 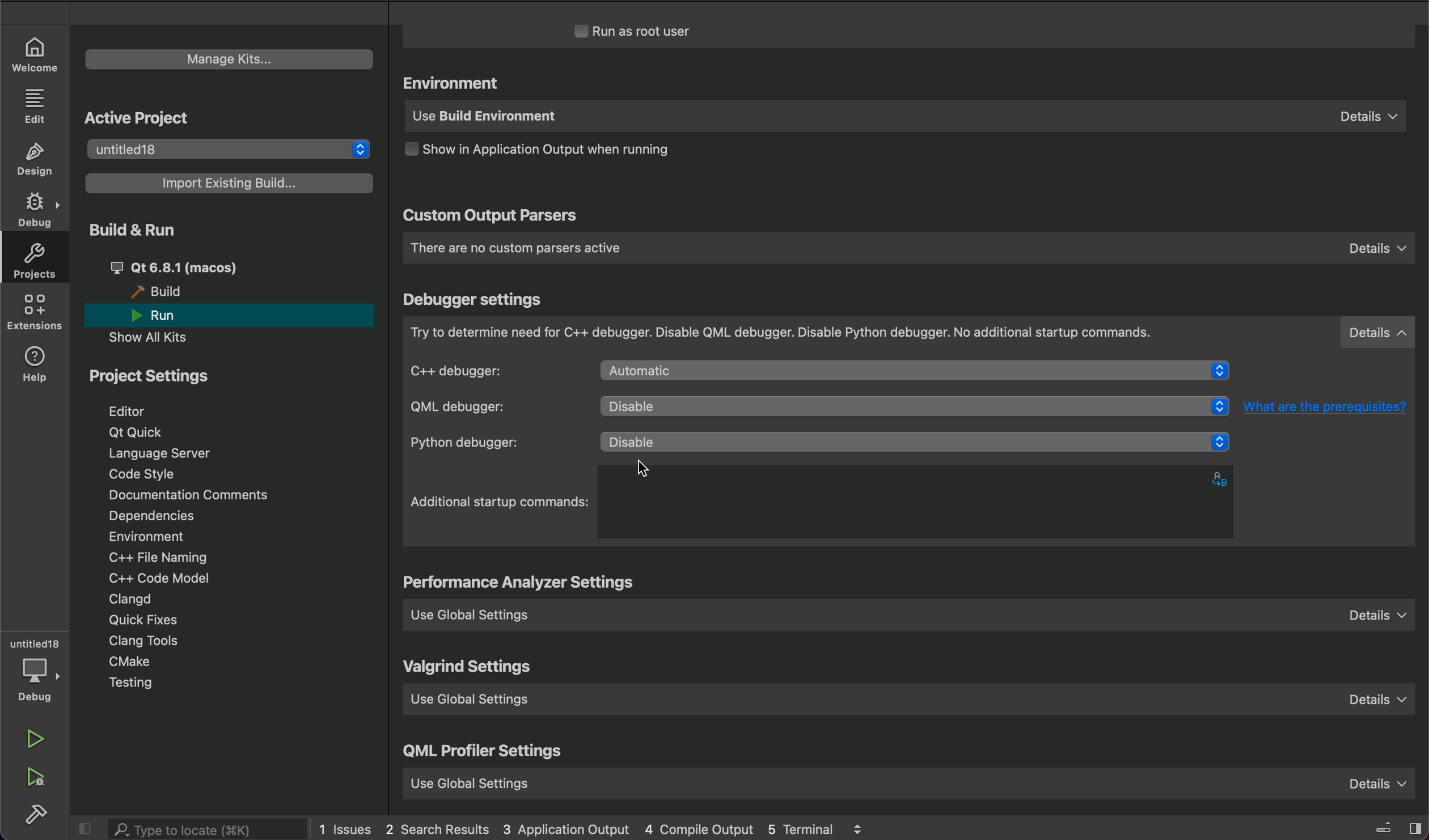 What do you see at coordinates (501, 502) in the screenshot?
I see `startup ` at bounding box center [501, 502].